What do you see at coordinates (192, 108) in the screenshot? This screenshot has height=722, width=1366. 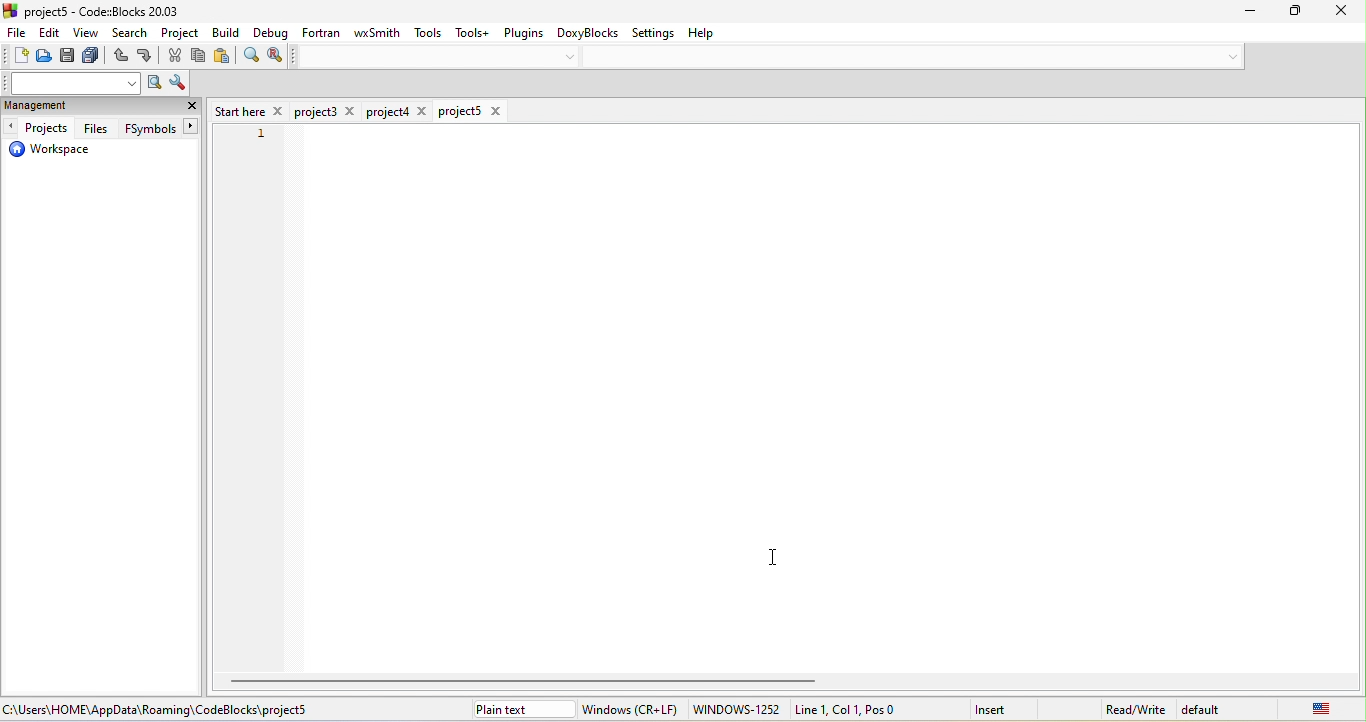 I see `close` at bounding box center [192, 108].